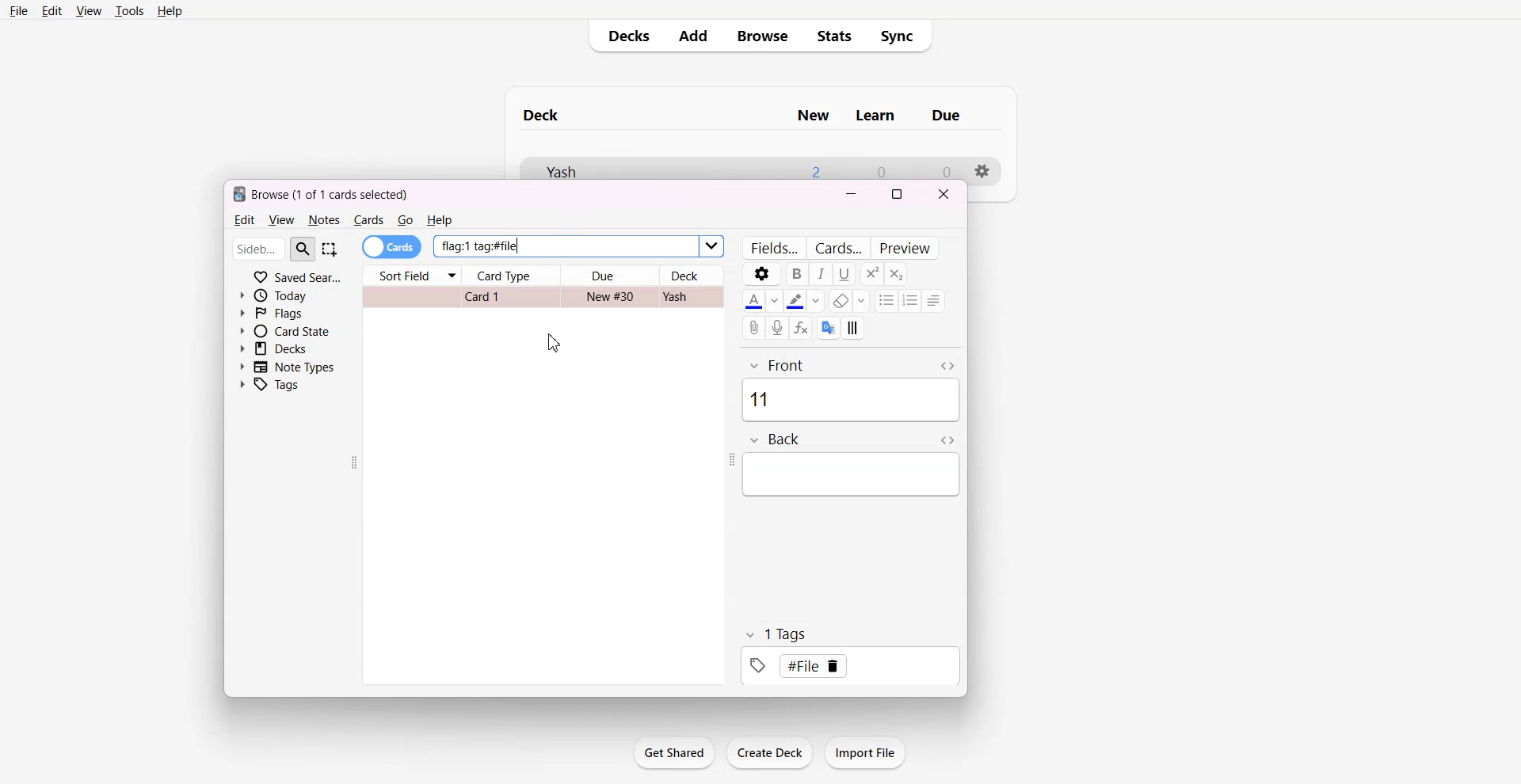  What do you see at coordinates (773, 247) in the screenshot?
I see `Fields` at bounding box center [773, 247].